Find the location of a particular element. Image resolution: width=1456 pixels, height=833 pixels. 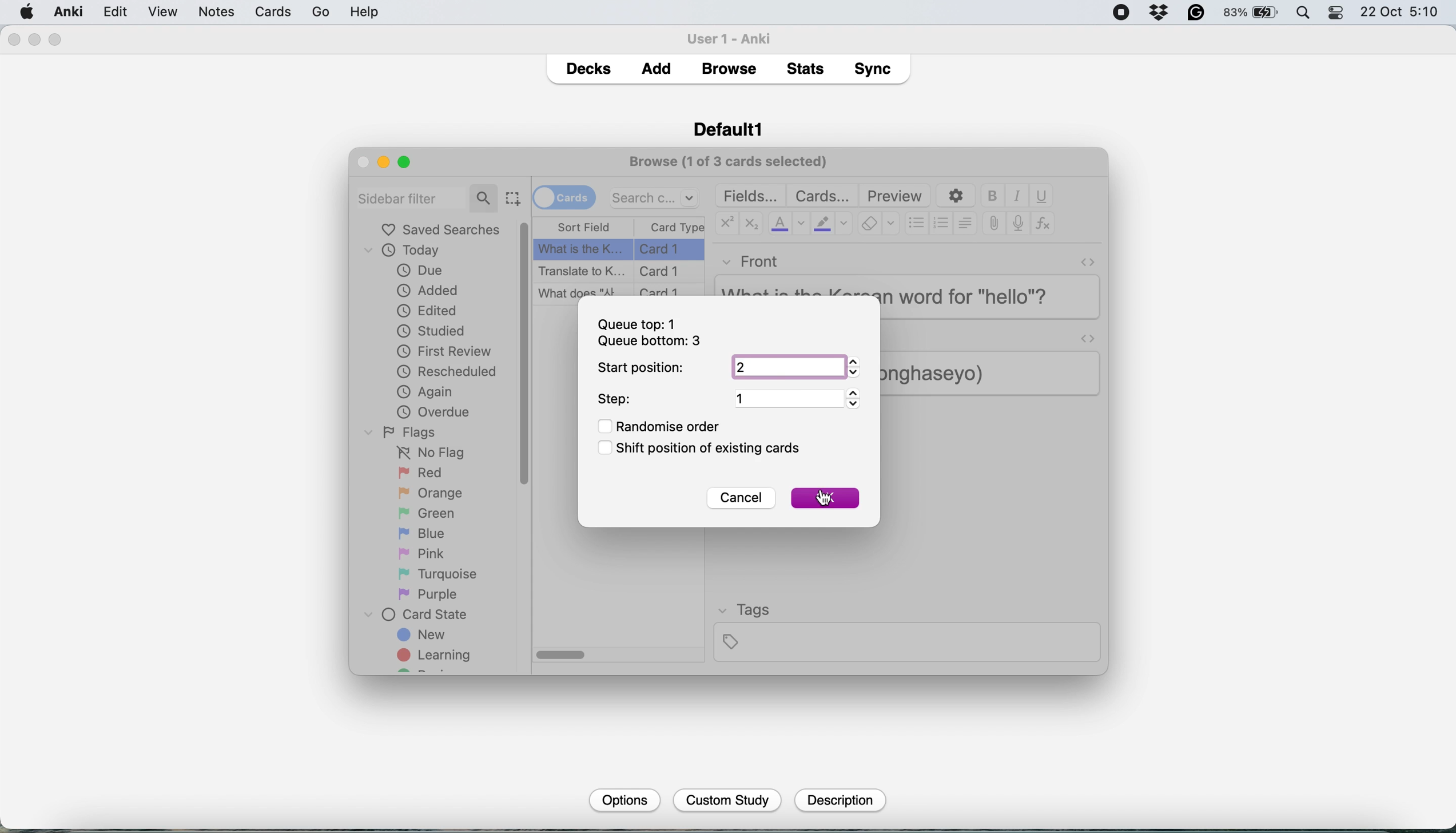

help is located at coordinates (309, 11).